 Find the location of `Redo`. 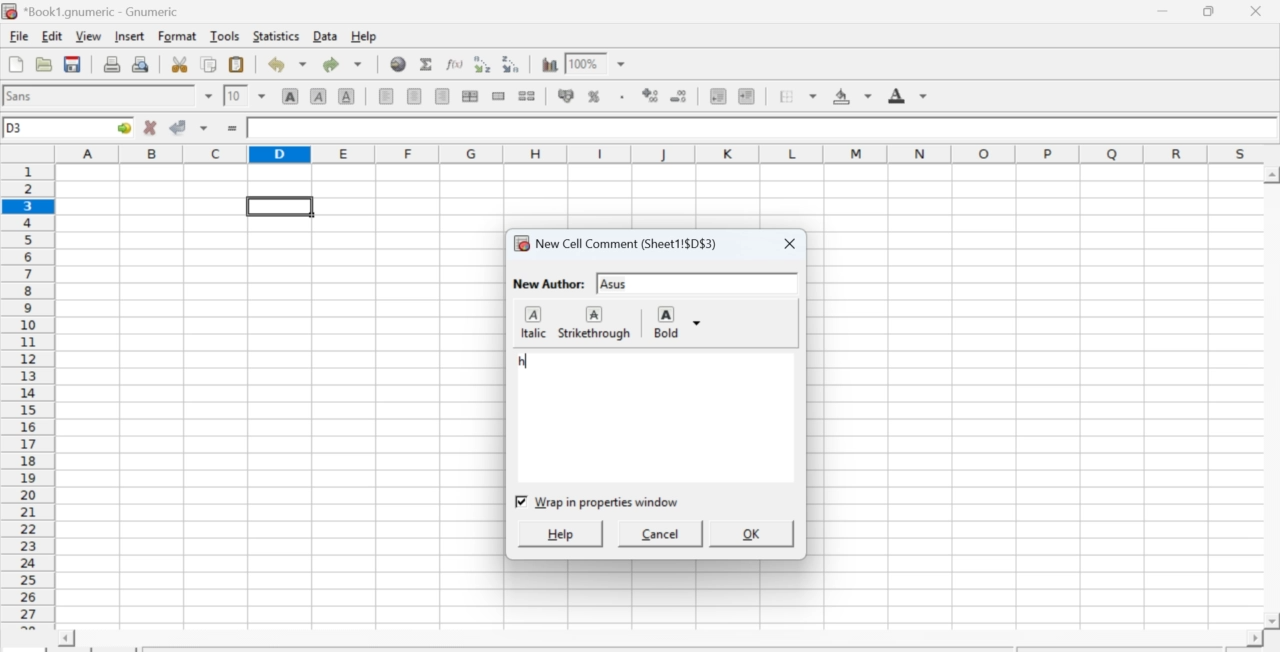

Redo is located at coordinates (346, 64).